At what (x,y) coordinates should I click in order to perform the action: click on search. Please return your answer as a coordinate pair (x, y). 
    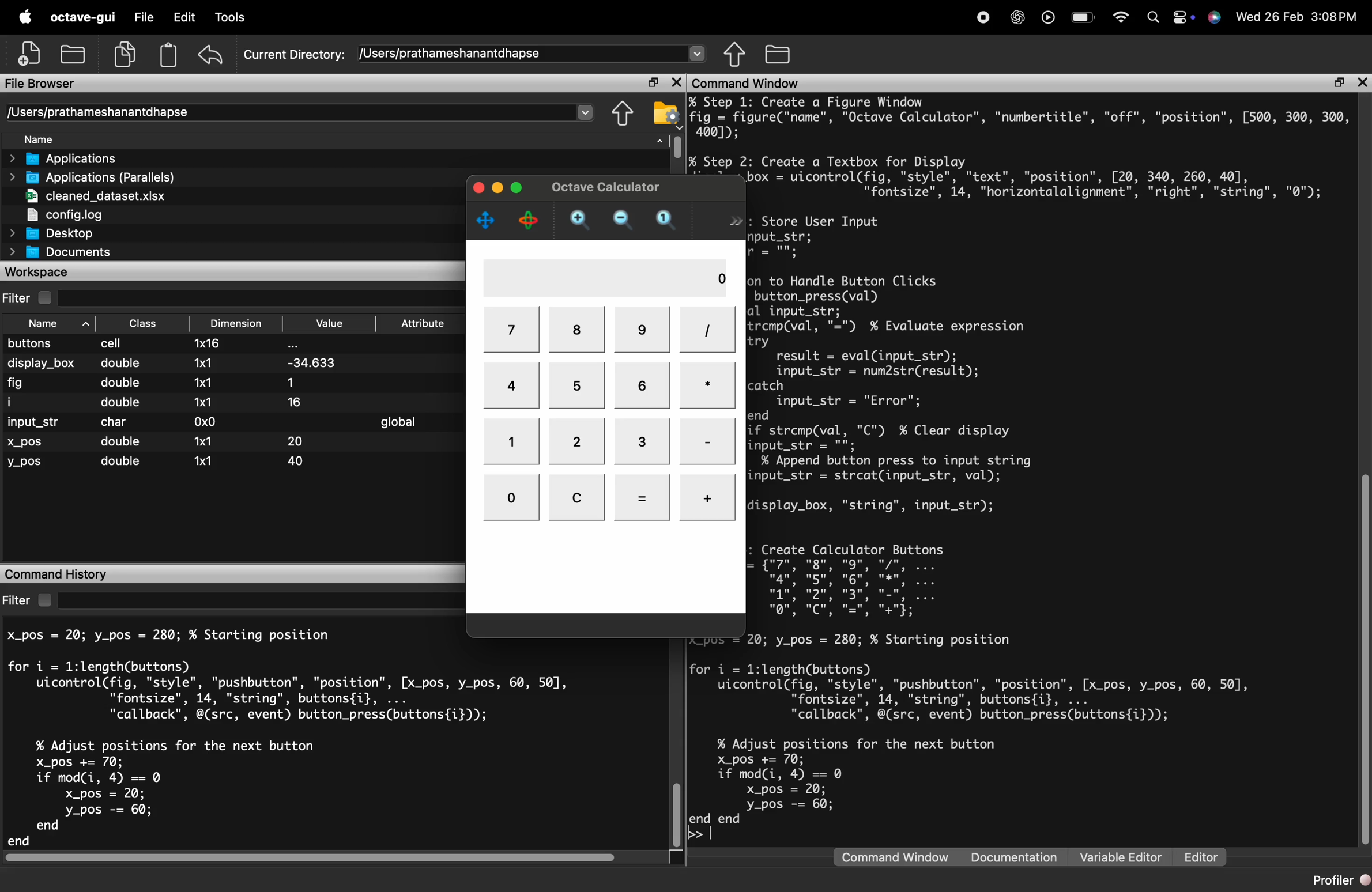
    Looking at the image, I should click on (1152, 17).